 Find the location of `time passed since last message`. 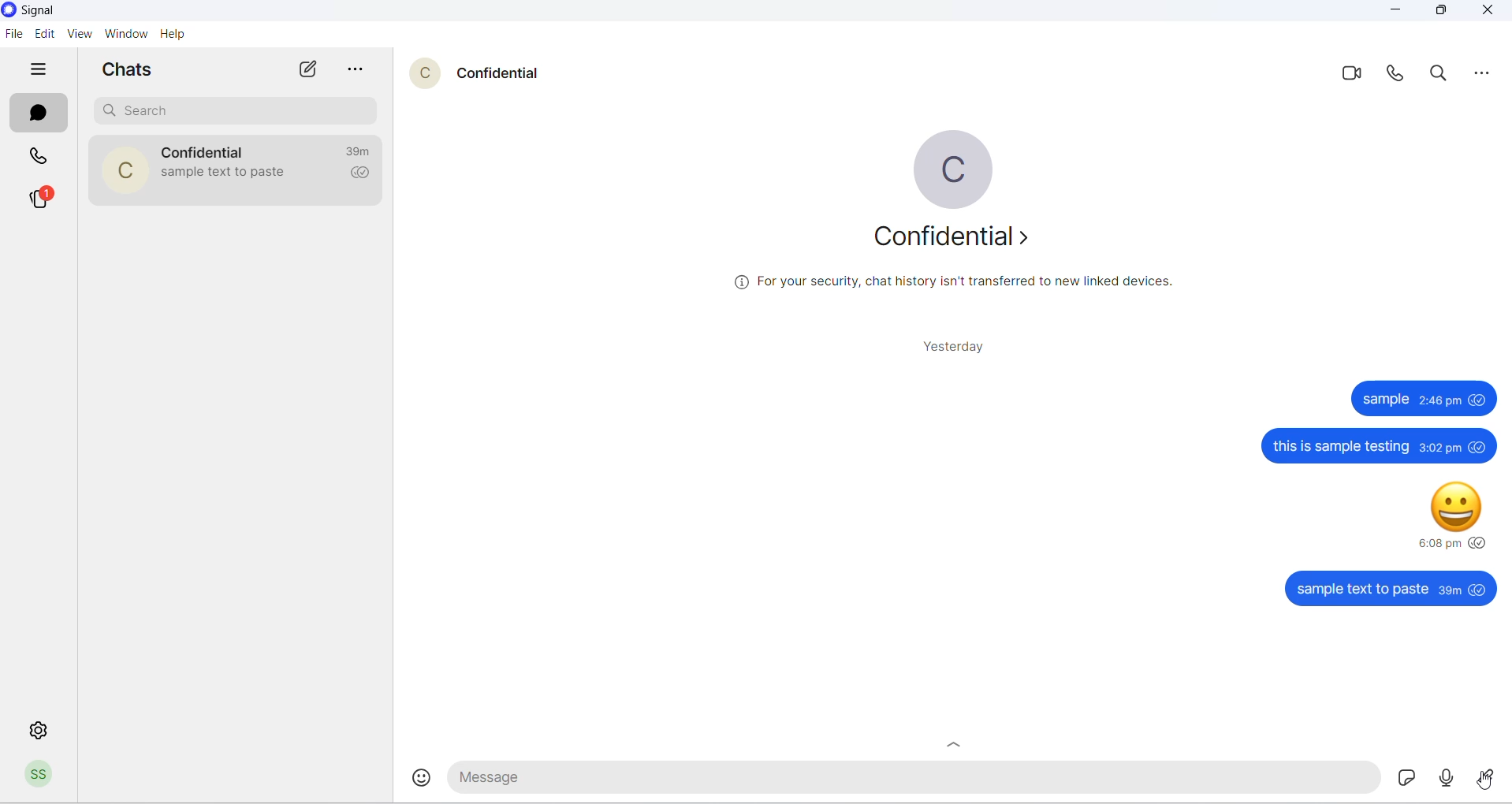

time passed since last message is located at coordinates (362, 152).